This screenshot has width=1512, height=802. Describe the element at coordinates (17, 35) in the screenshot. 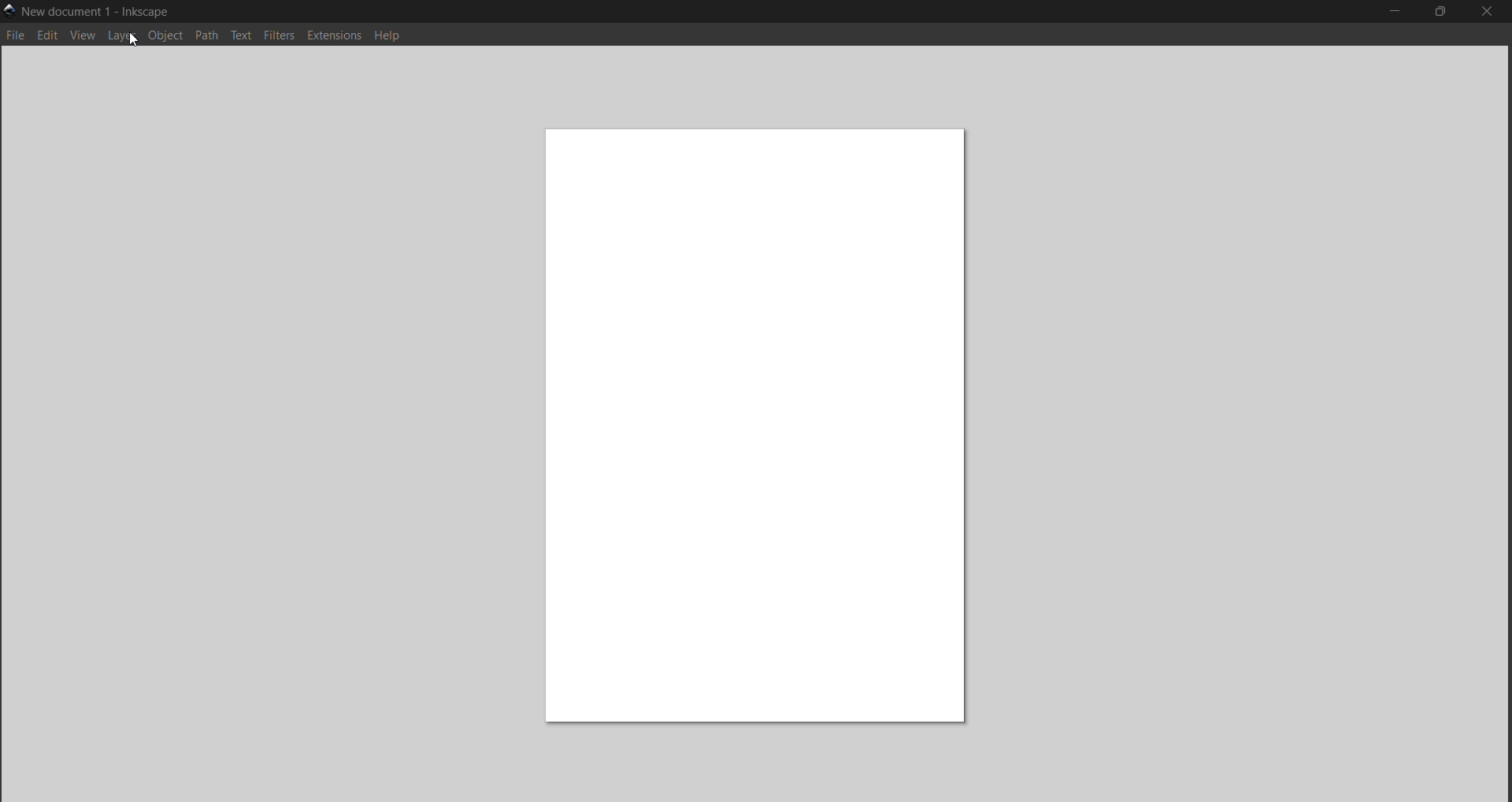

I see `file` at that location.